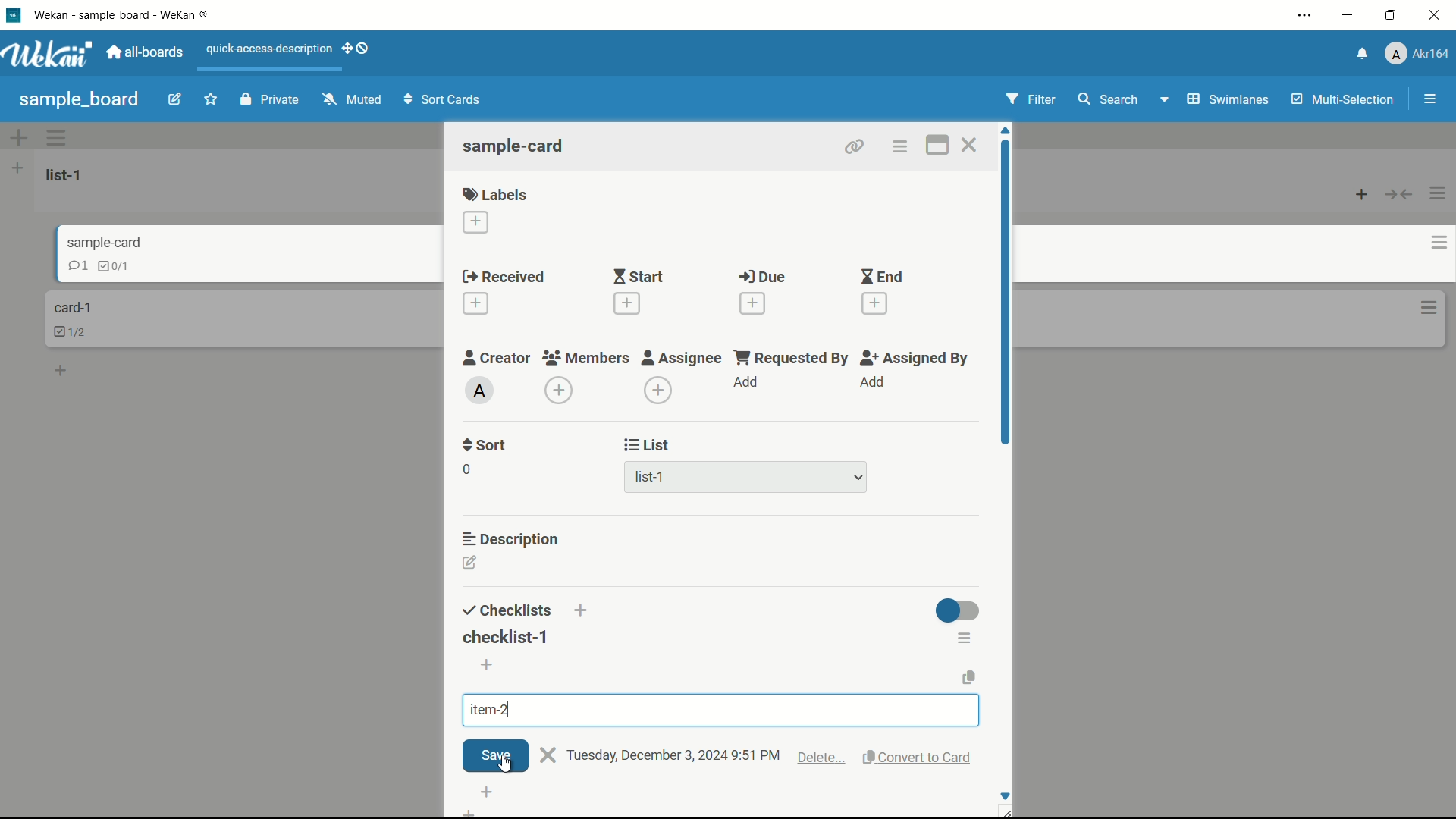 Image resolution: width=1456 pixels, height=819 pixels. What do you see at coordinates (559, 389) in the screenshot?
I see `add members` at bounding box center [559, 389].